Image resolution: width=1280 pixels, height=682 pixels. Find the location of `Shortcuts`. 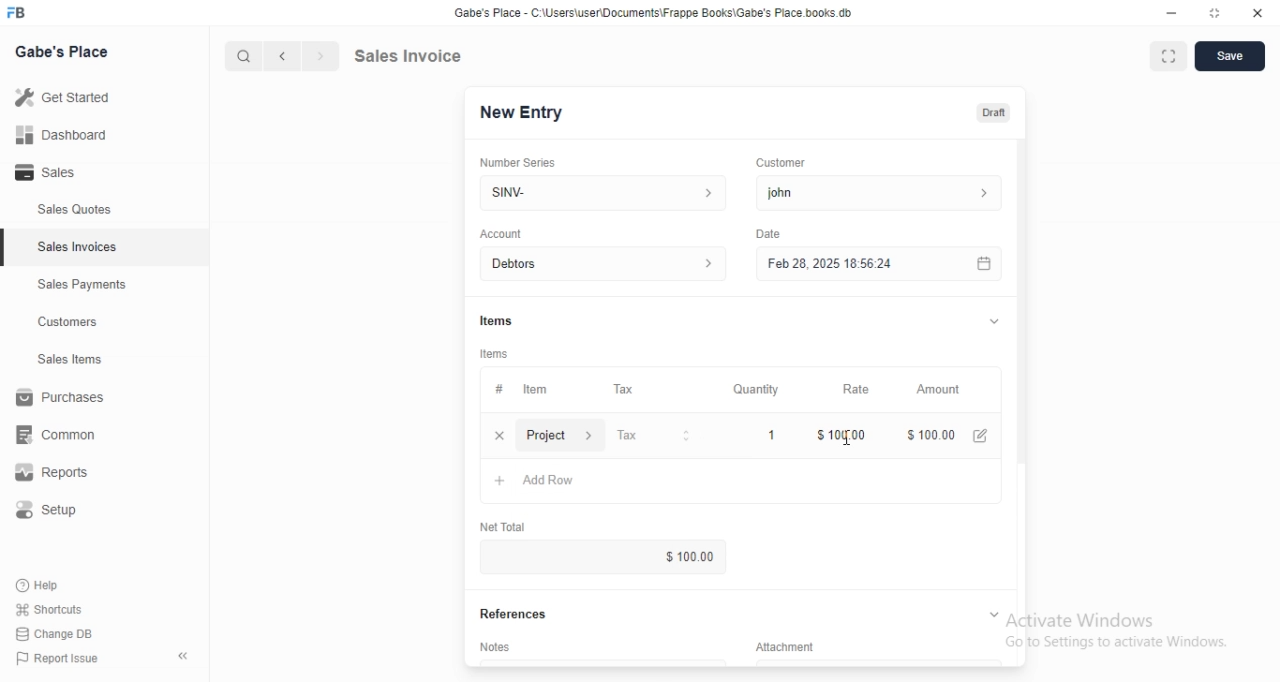

Shortcuts is located at coordinates (61, 608).